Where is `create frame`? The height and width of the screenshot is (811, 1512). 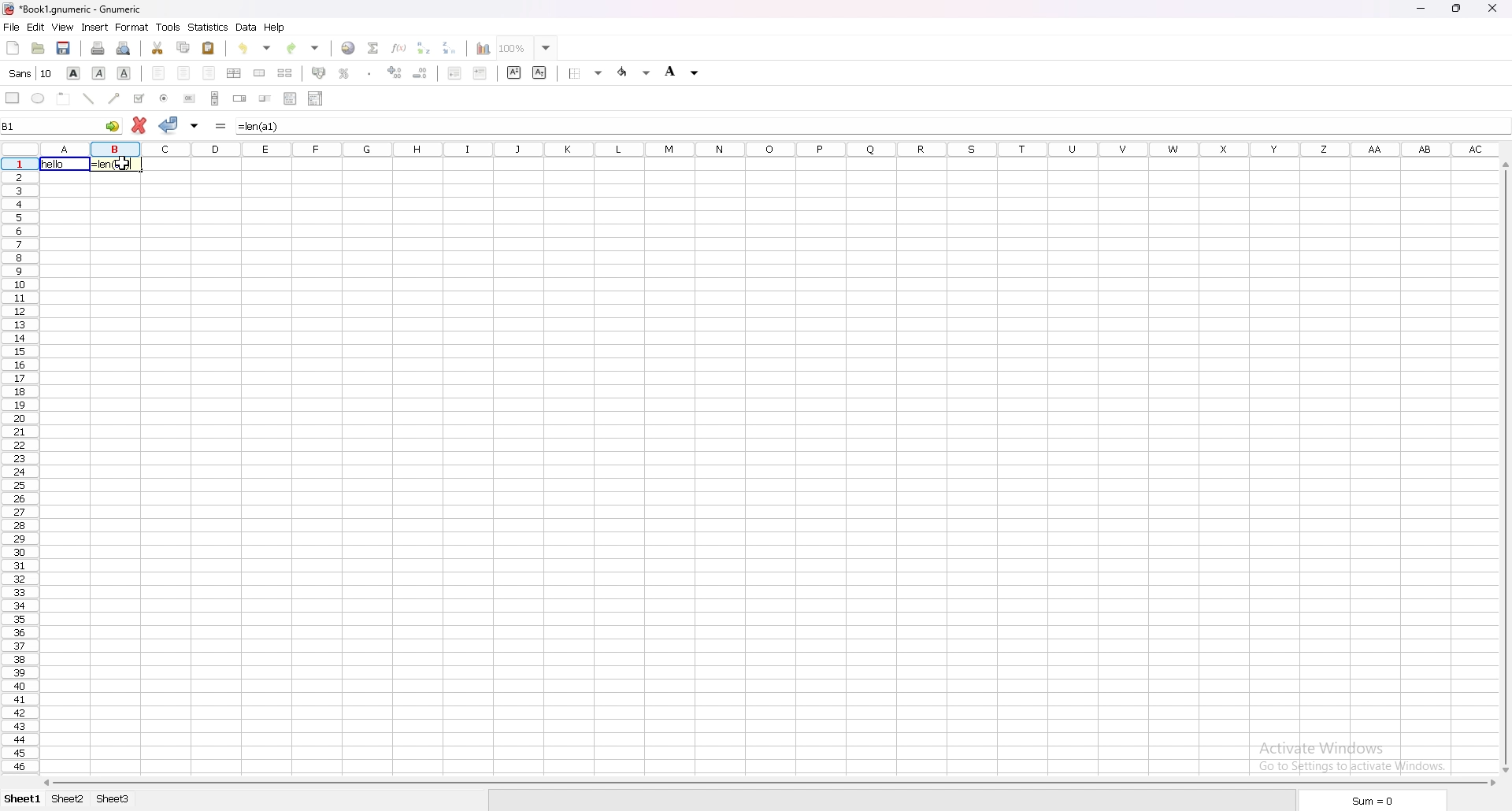 create frame is located at coordinates (65, 98).